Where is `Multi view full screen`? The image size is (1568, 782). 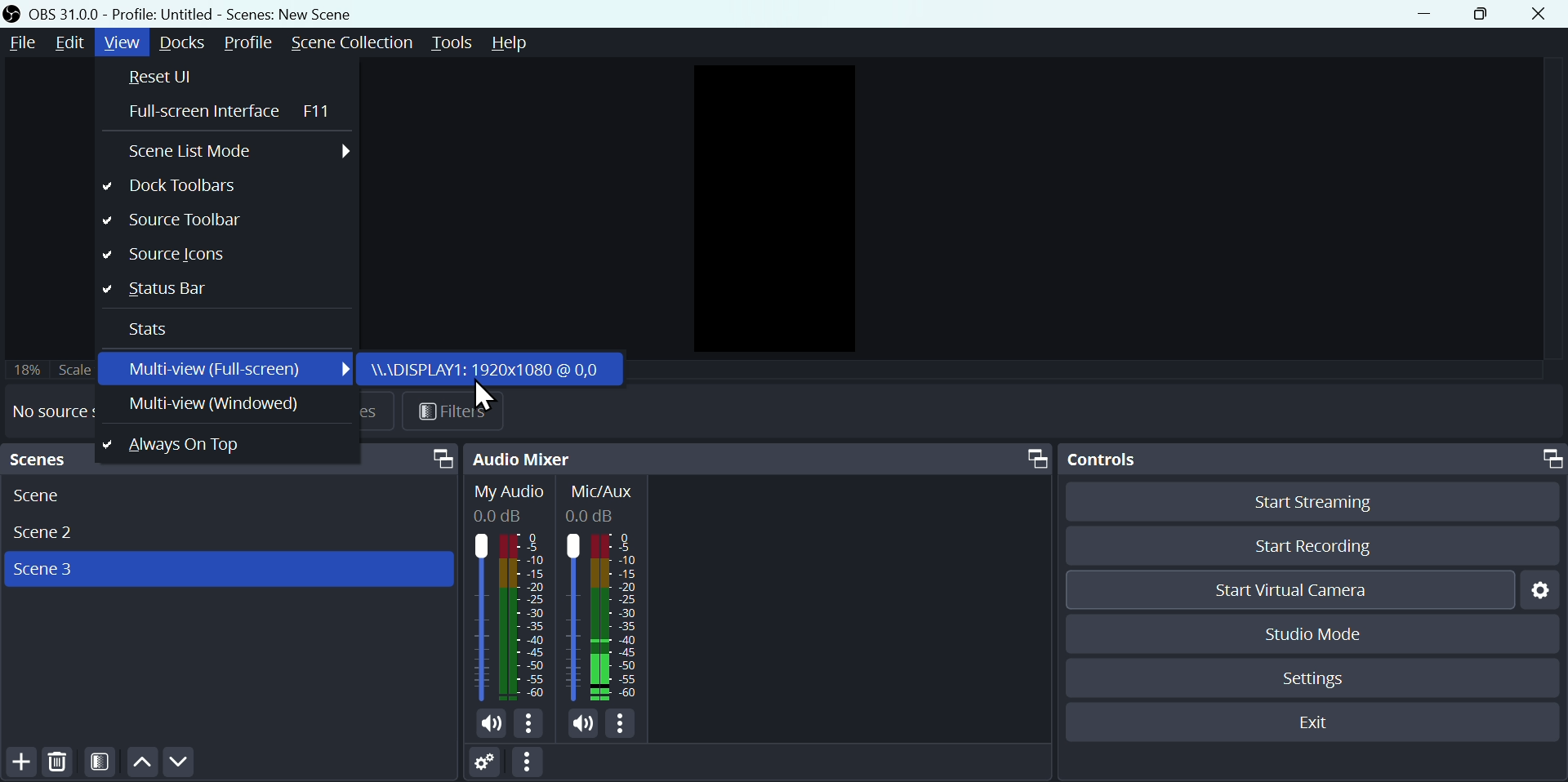
Multi view full screen is located at coordinates (230, 370).